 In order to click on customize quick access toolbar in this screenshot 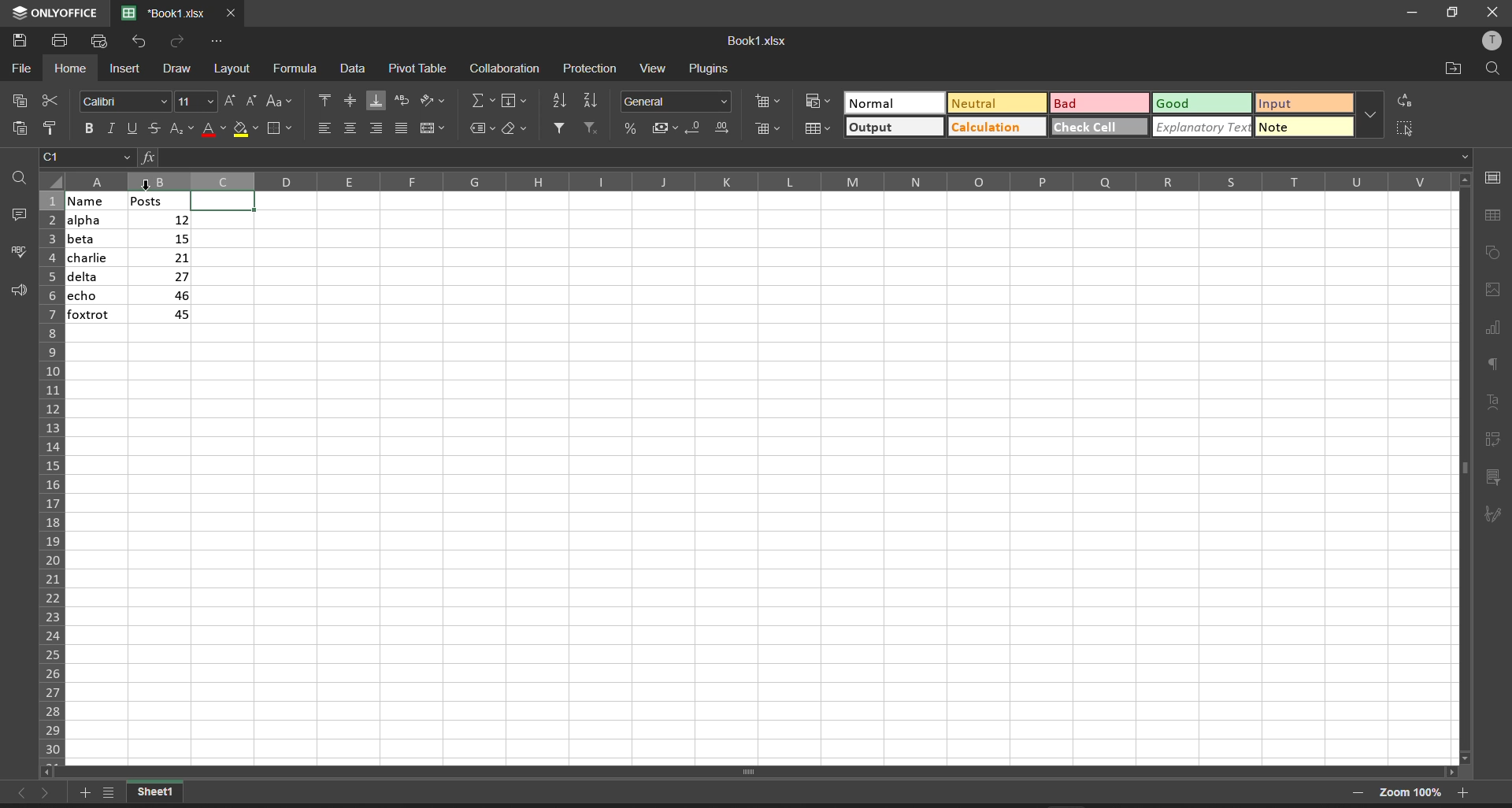, I will do `click(218, 40)`.